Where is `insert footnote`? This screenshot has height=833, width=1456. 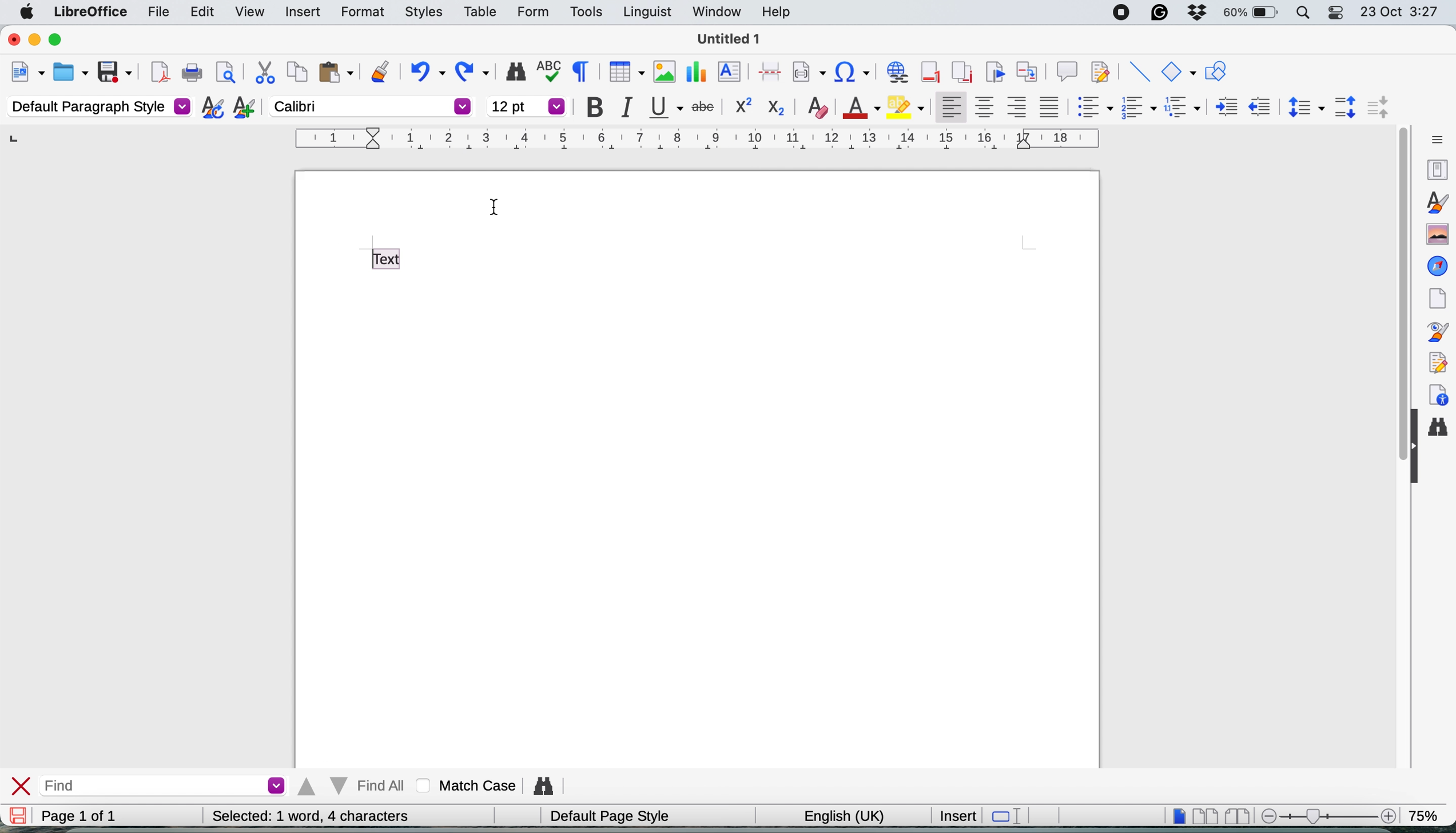 insert footnote is located at coordinates (929, 72).